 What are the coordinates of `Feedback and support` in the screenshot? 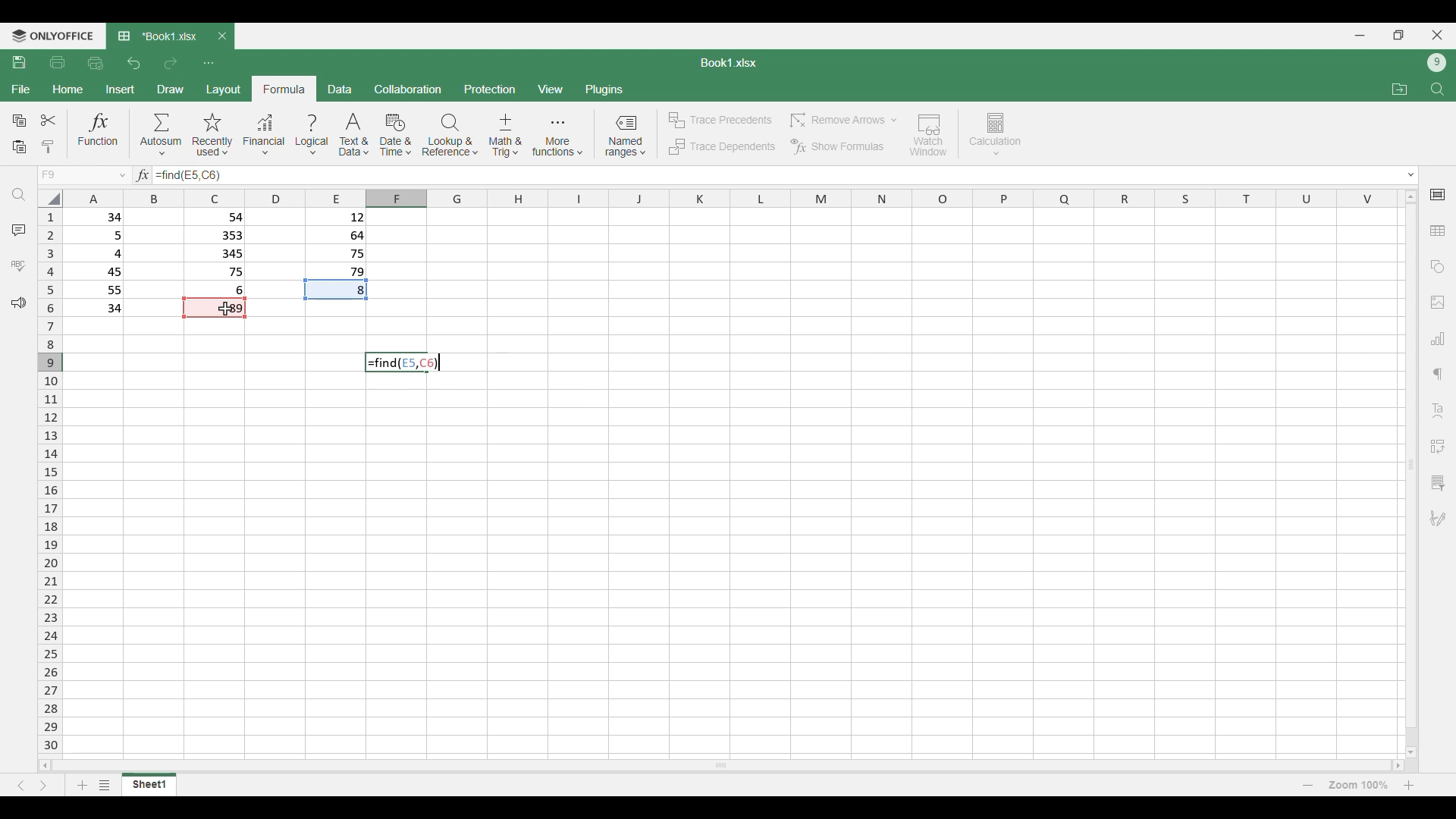 It's located at (18, 303).